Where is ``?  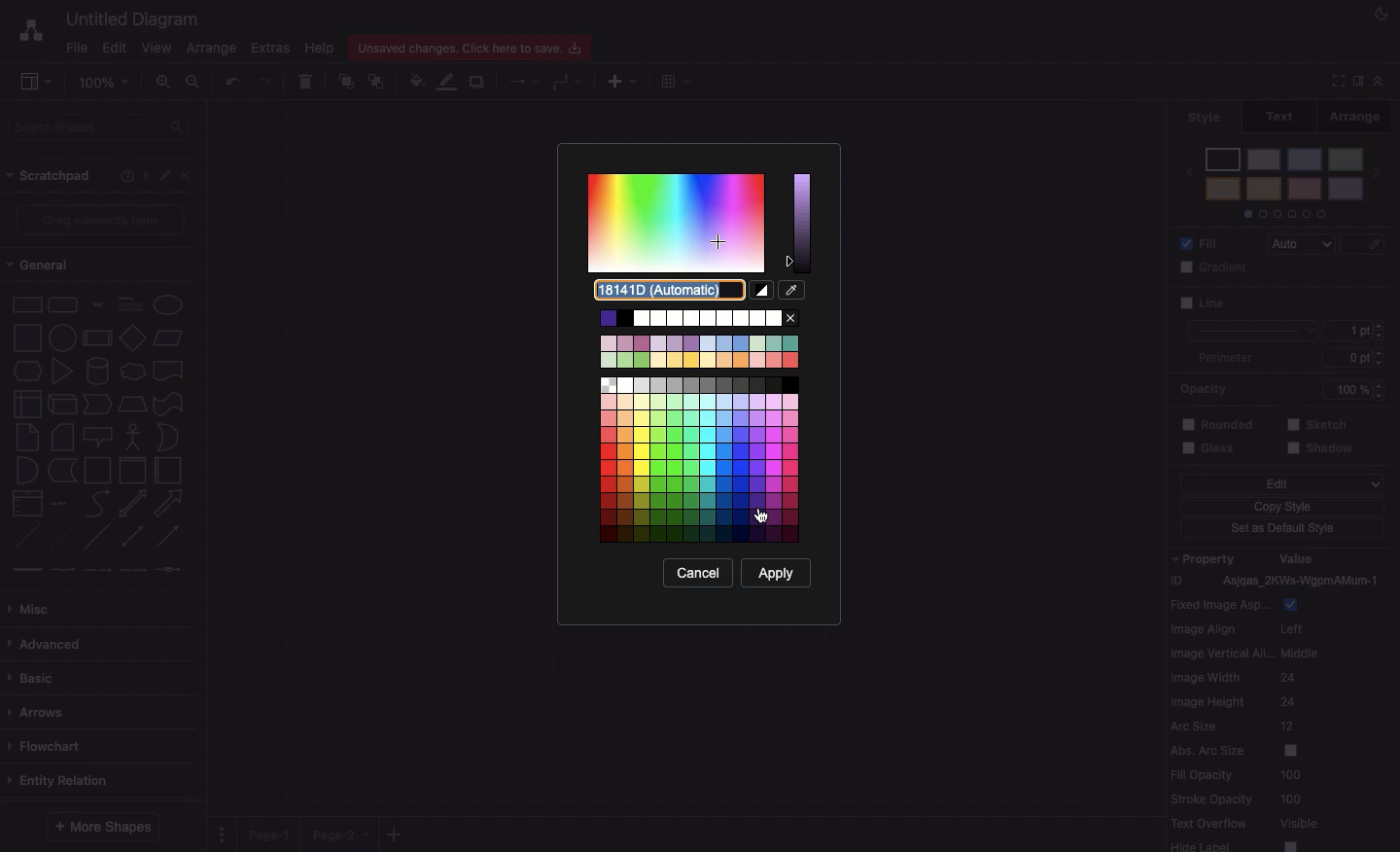
 is located at coordinates (132, 337).